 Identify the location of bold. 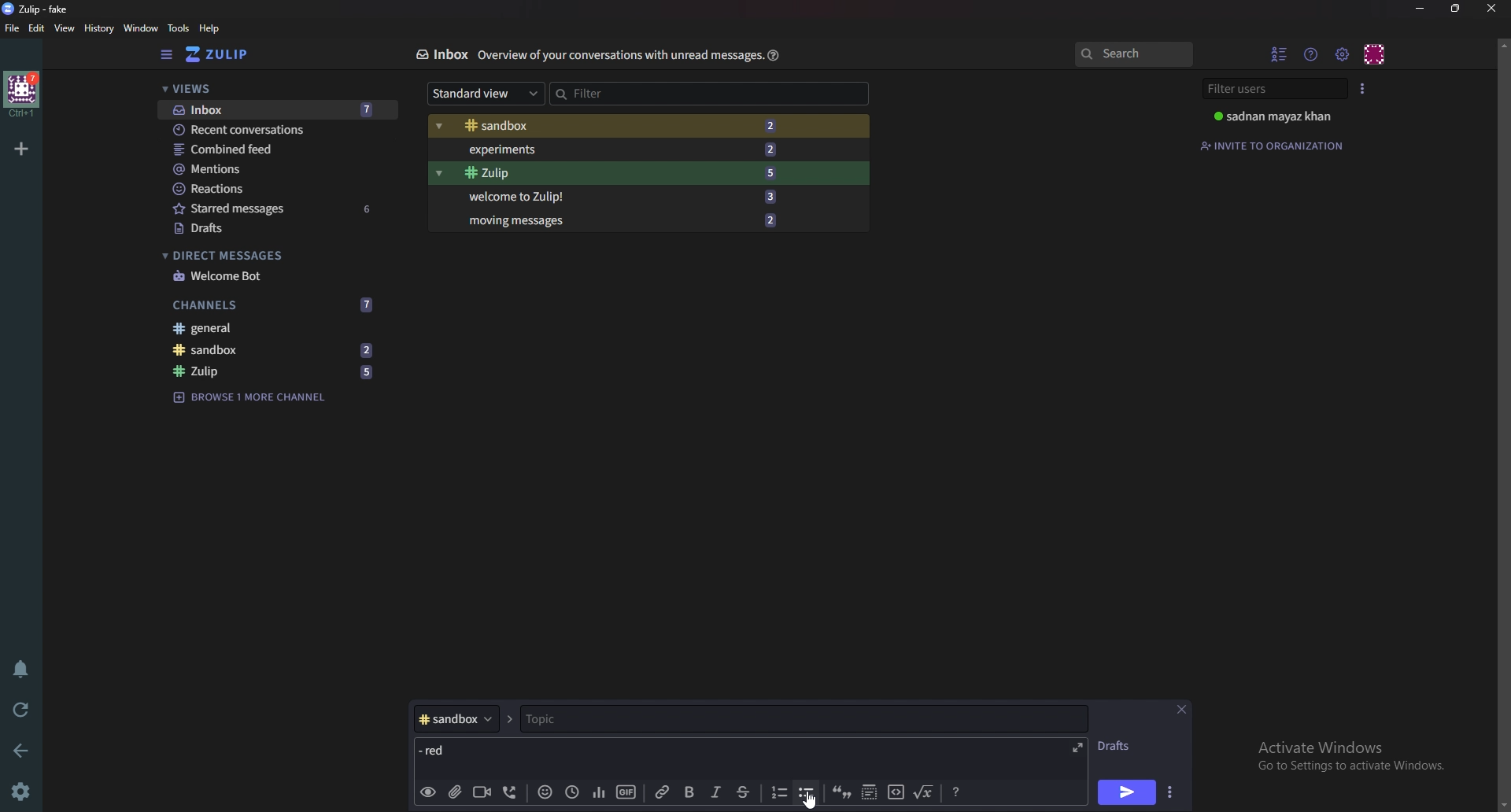
(692, 793).